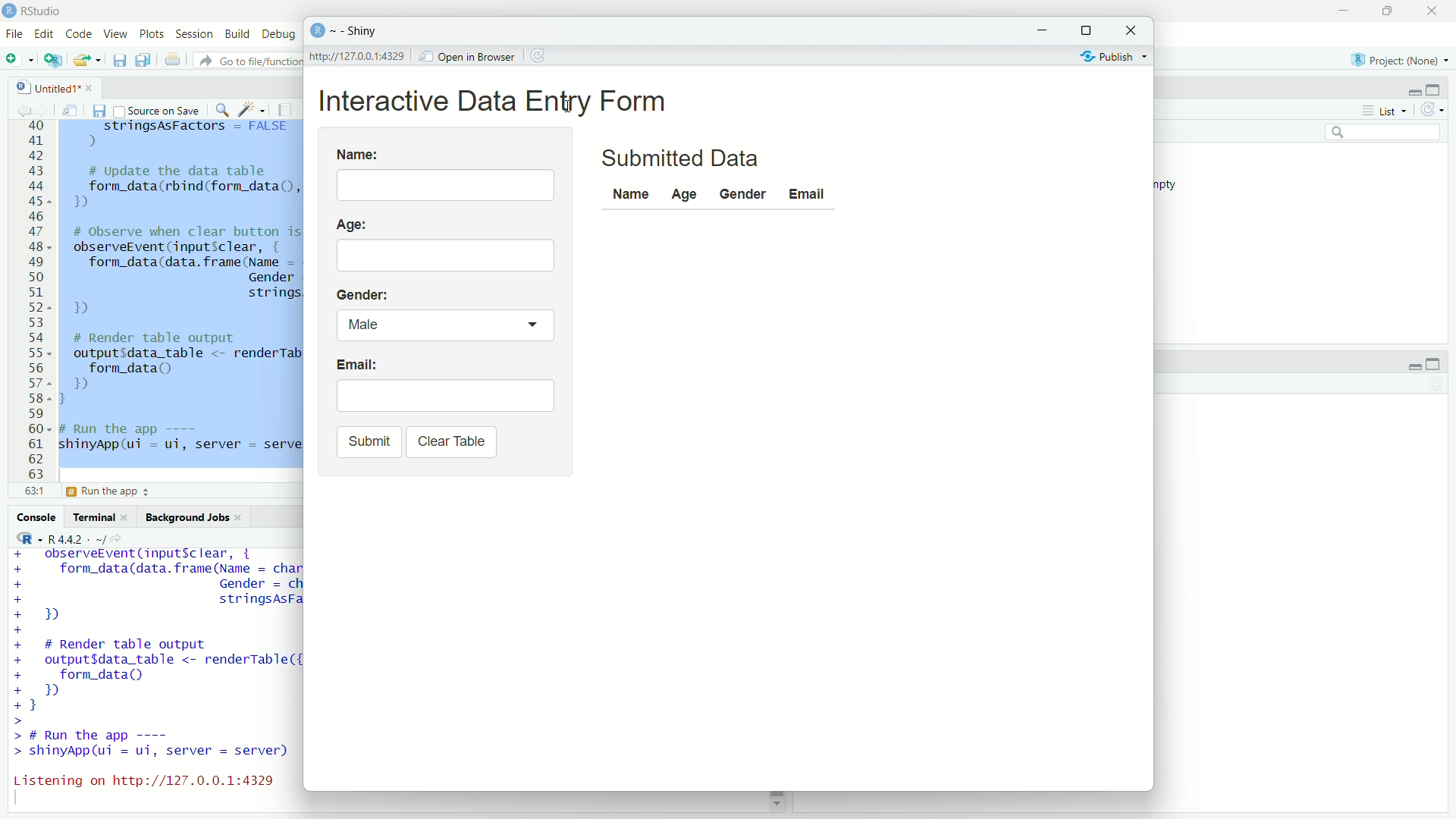  I want to click on Email:, so click(357, 367).